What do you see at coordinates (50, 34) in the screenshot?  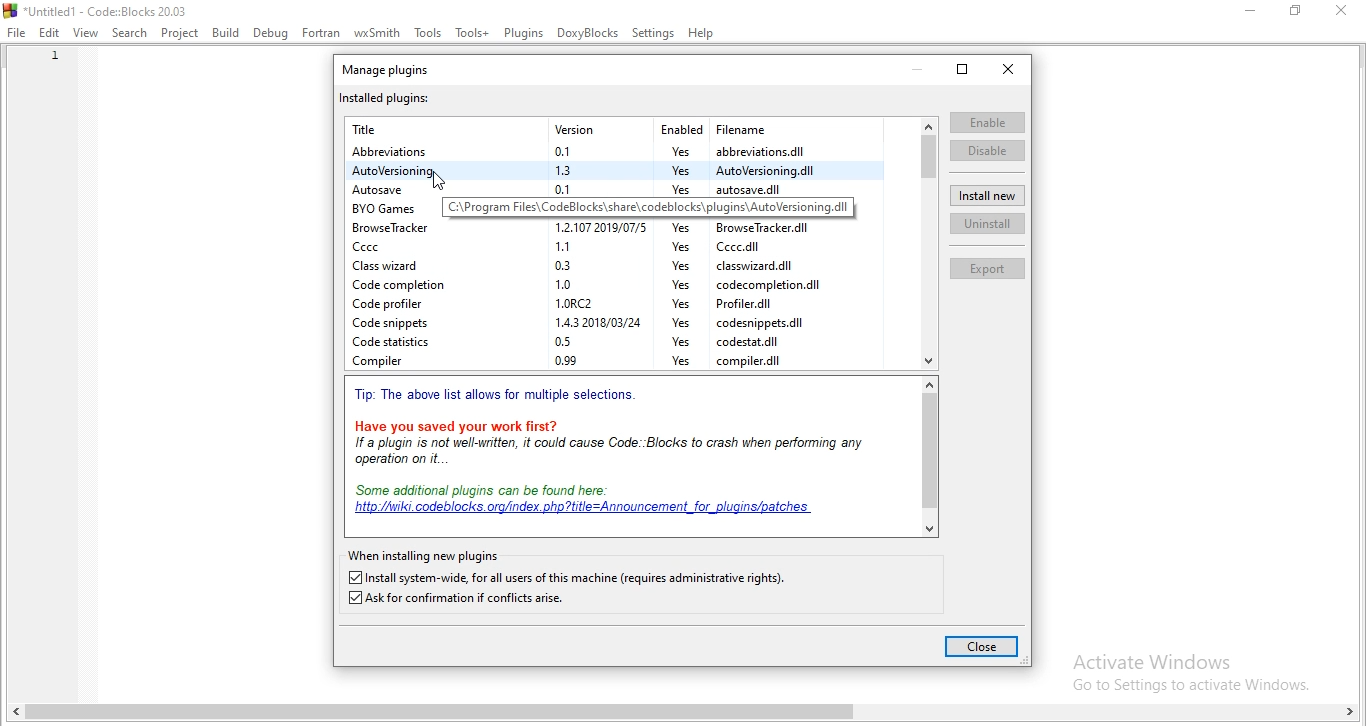 I see `edit` at bounding box center [50, 34].